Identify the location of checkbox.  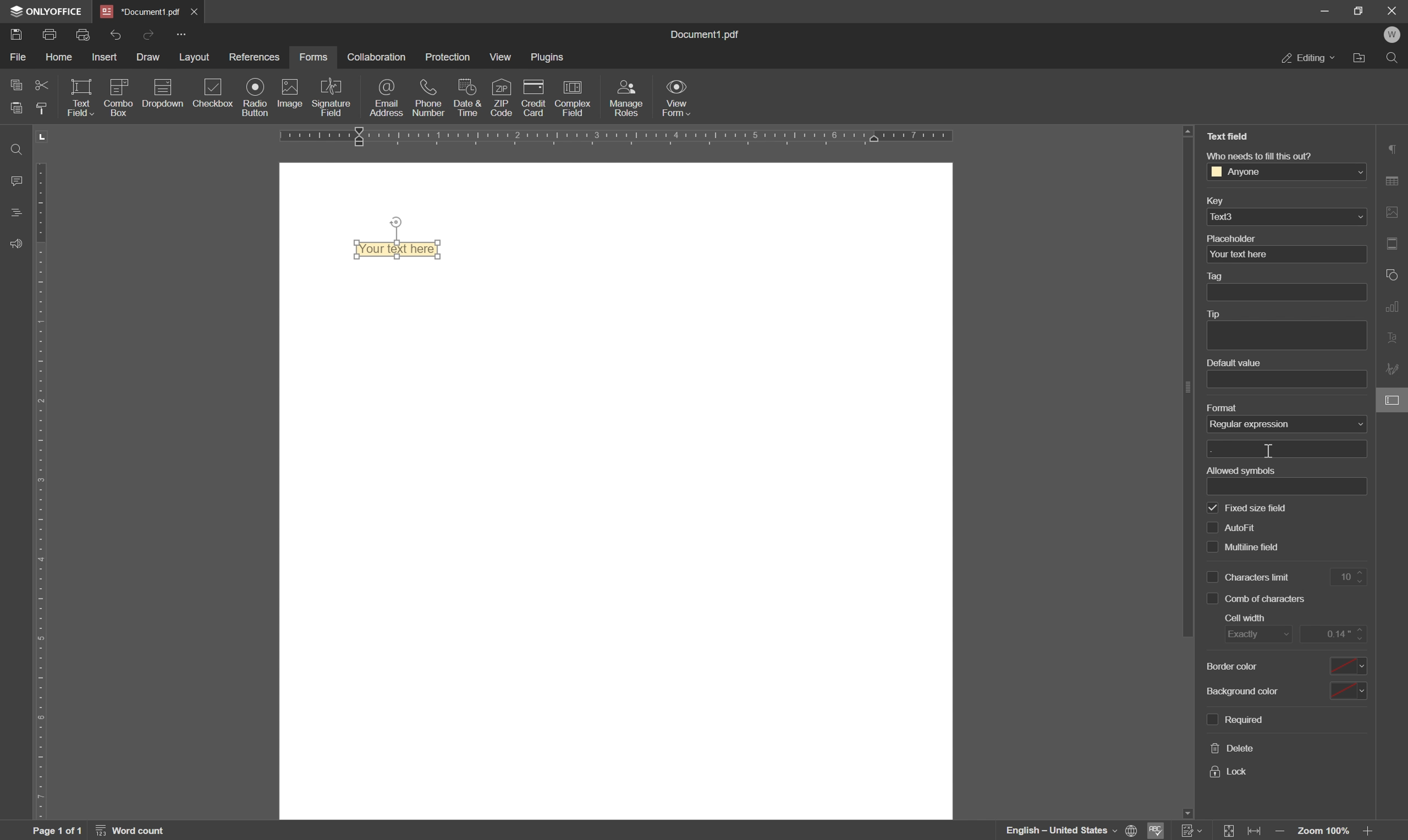
(1210, 526).